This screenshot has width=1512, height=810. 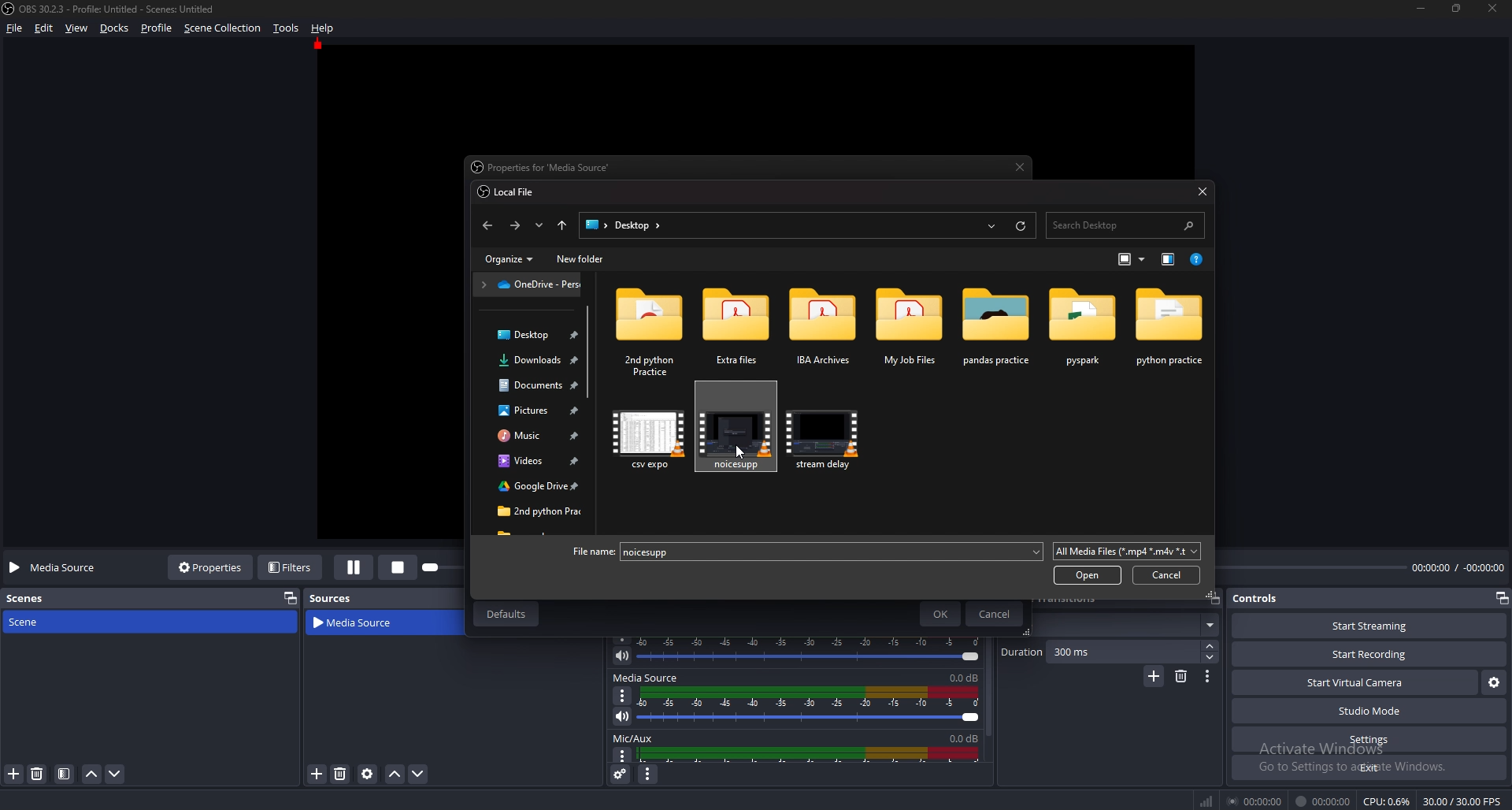 I want to click on Sources settings, so click(x=369, y=774).